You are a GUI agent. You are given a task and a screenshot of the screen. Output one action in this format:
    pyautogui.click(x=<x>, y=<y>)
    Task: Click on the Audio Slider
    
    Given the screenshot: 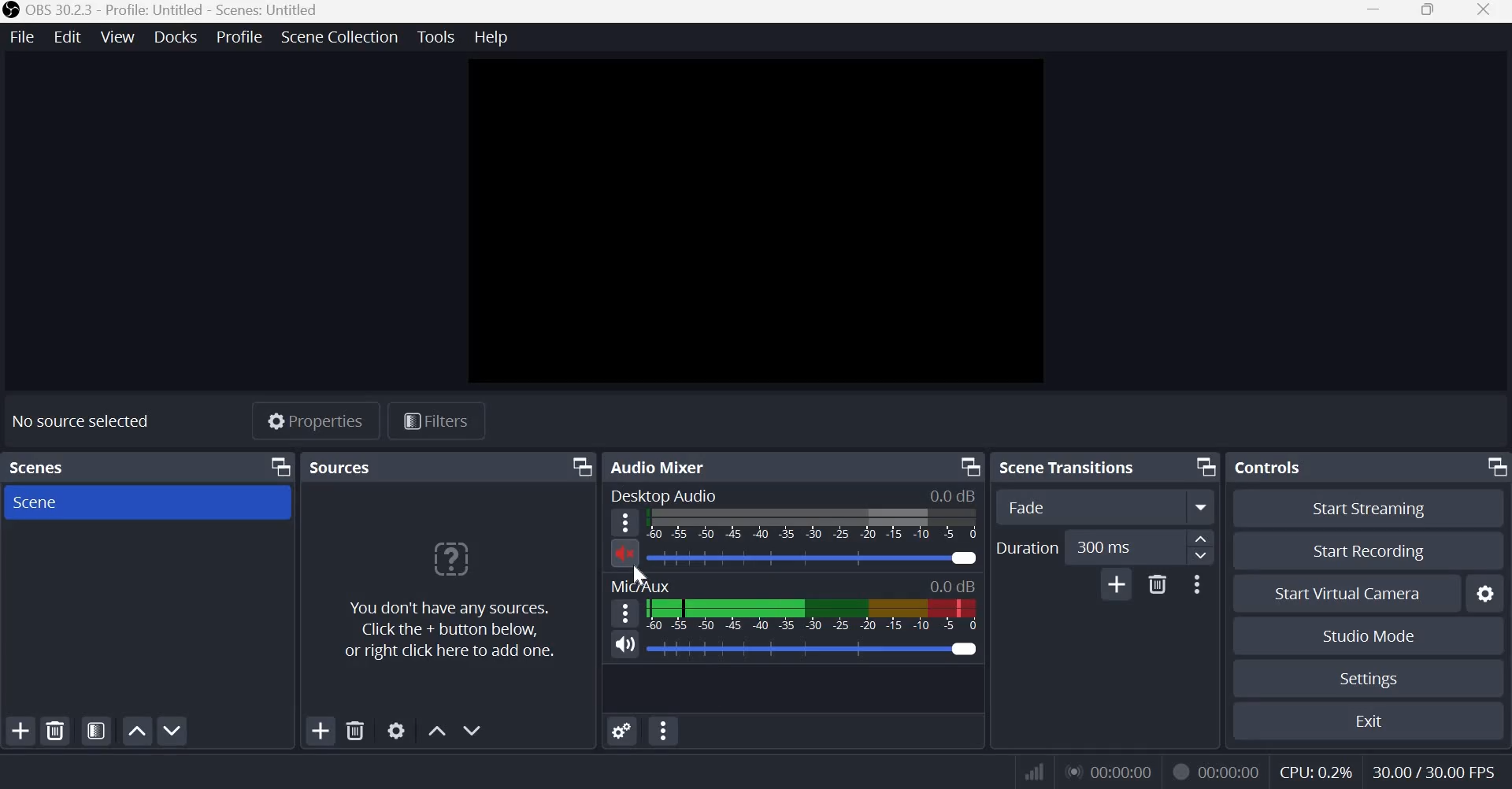 What is the action you would take?
    pyautogui.click(x=963, y=649)
    